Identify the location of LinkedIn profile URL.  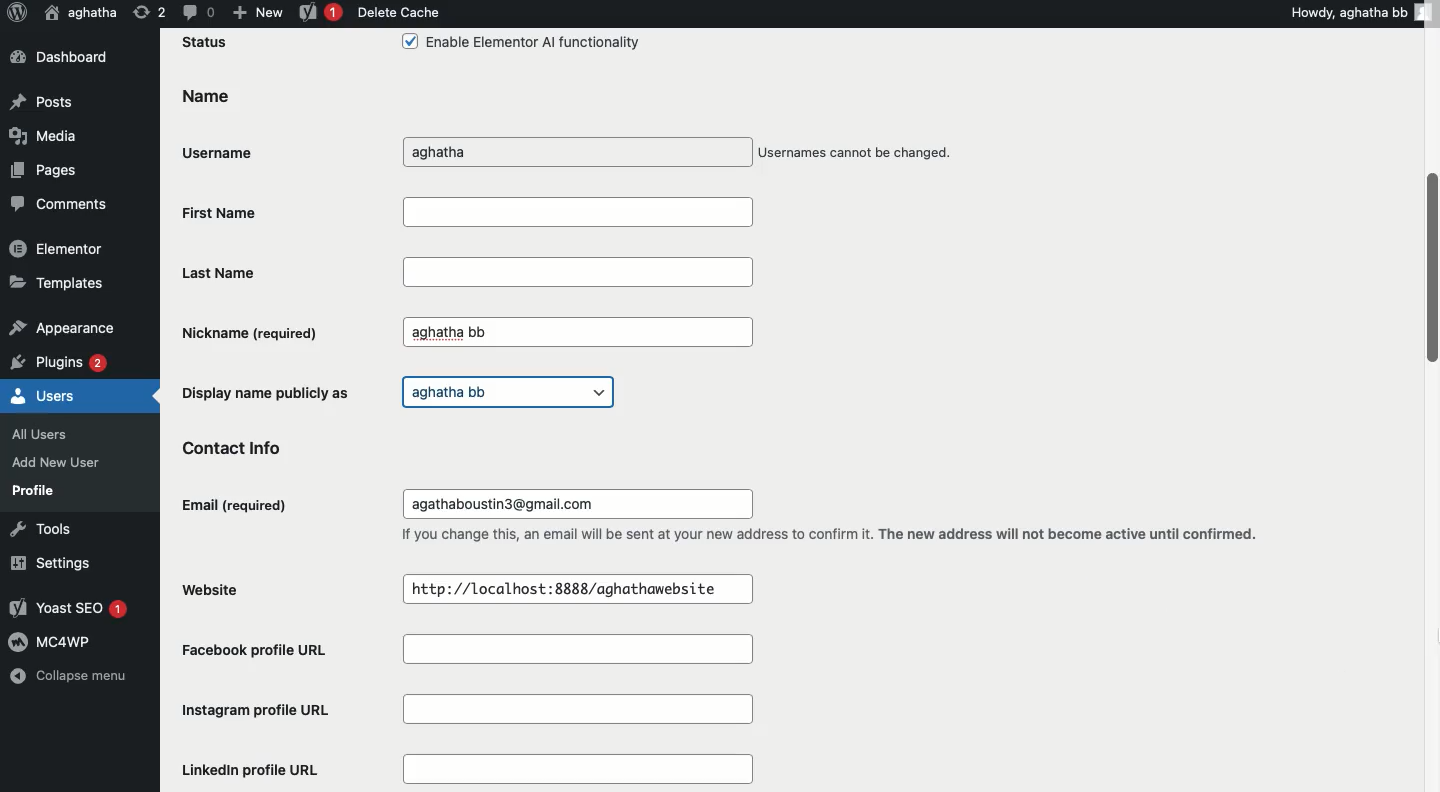
(474, 771).